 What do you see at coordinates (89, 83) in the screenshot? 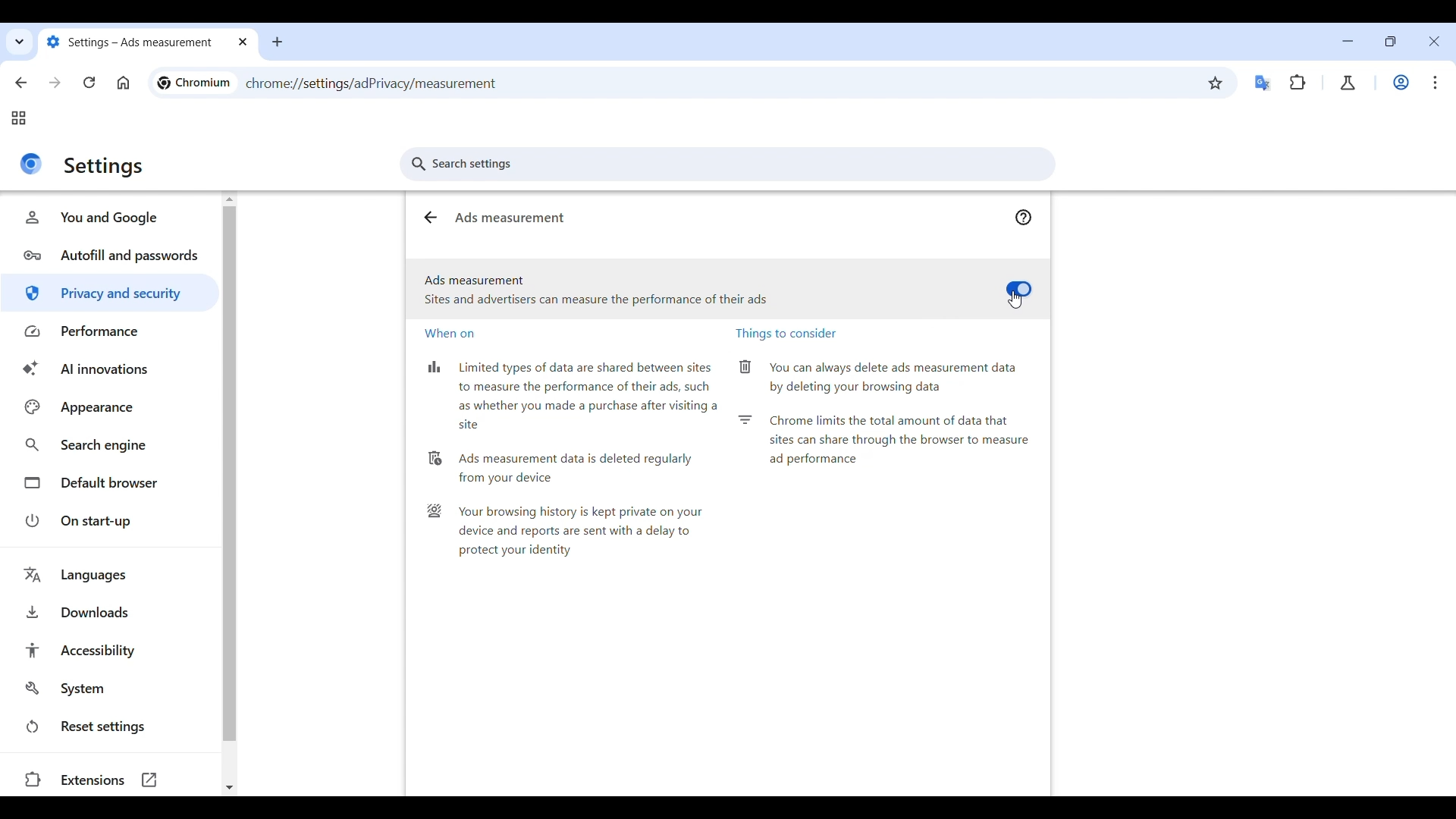
I see `Reload page` at bounding box center [89, 83].